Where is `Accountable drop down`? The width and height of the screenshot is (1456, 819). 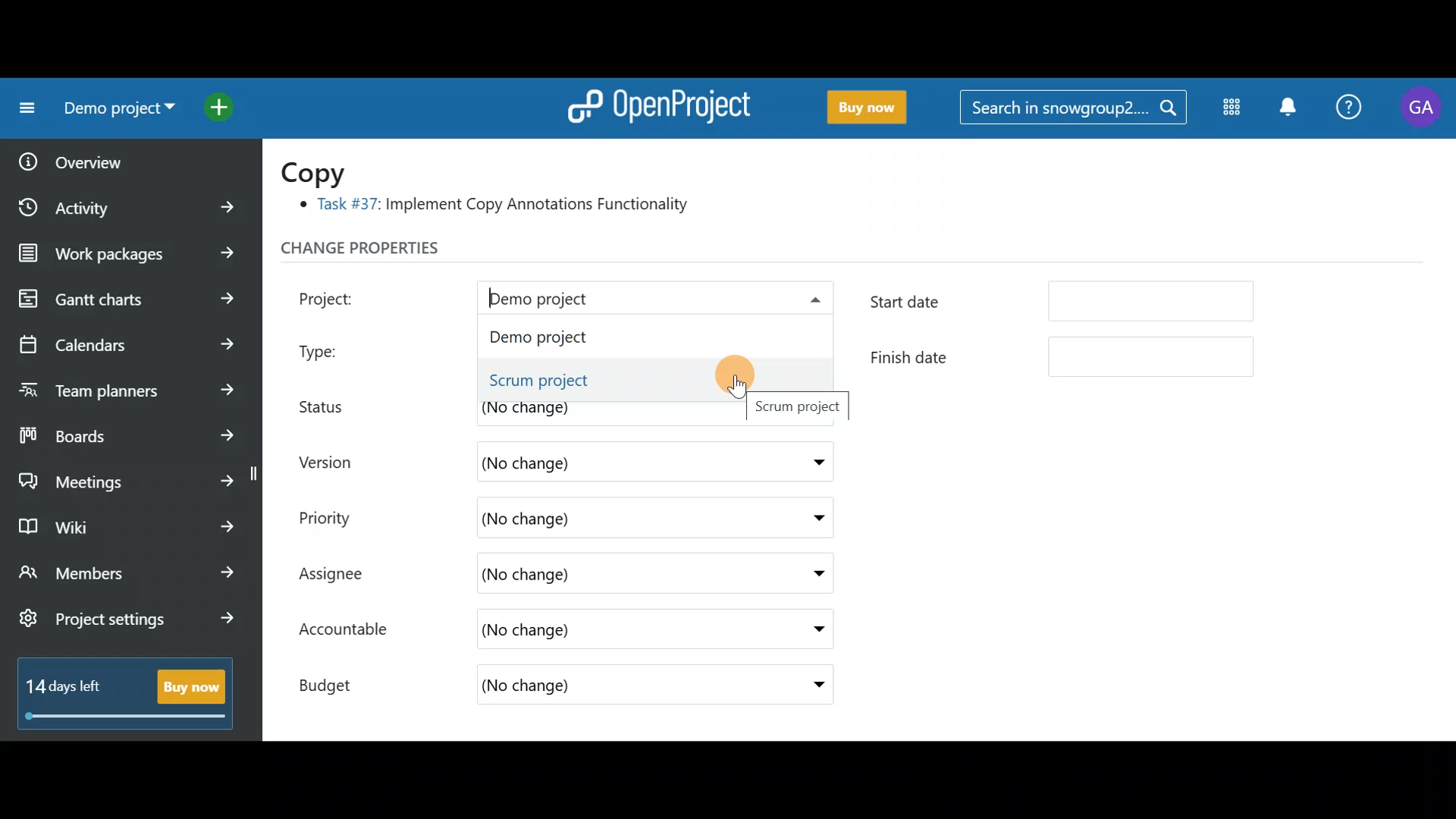
Accountable drop down is located at coordinates (811, 630).